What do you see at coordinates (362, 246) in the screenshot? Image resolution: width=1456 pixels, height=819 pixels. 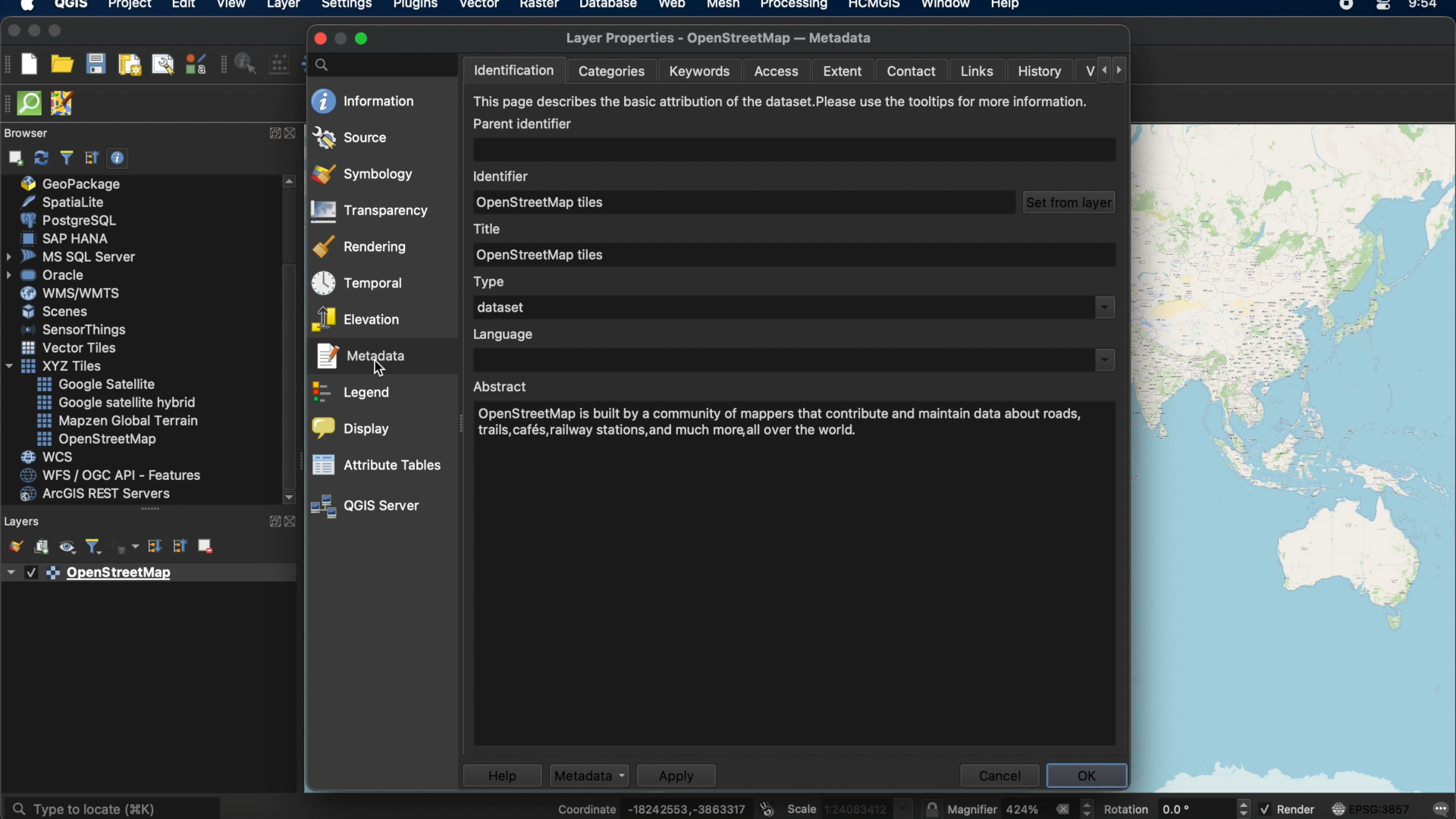 I see `rendering` at bounding box center [362, 246].